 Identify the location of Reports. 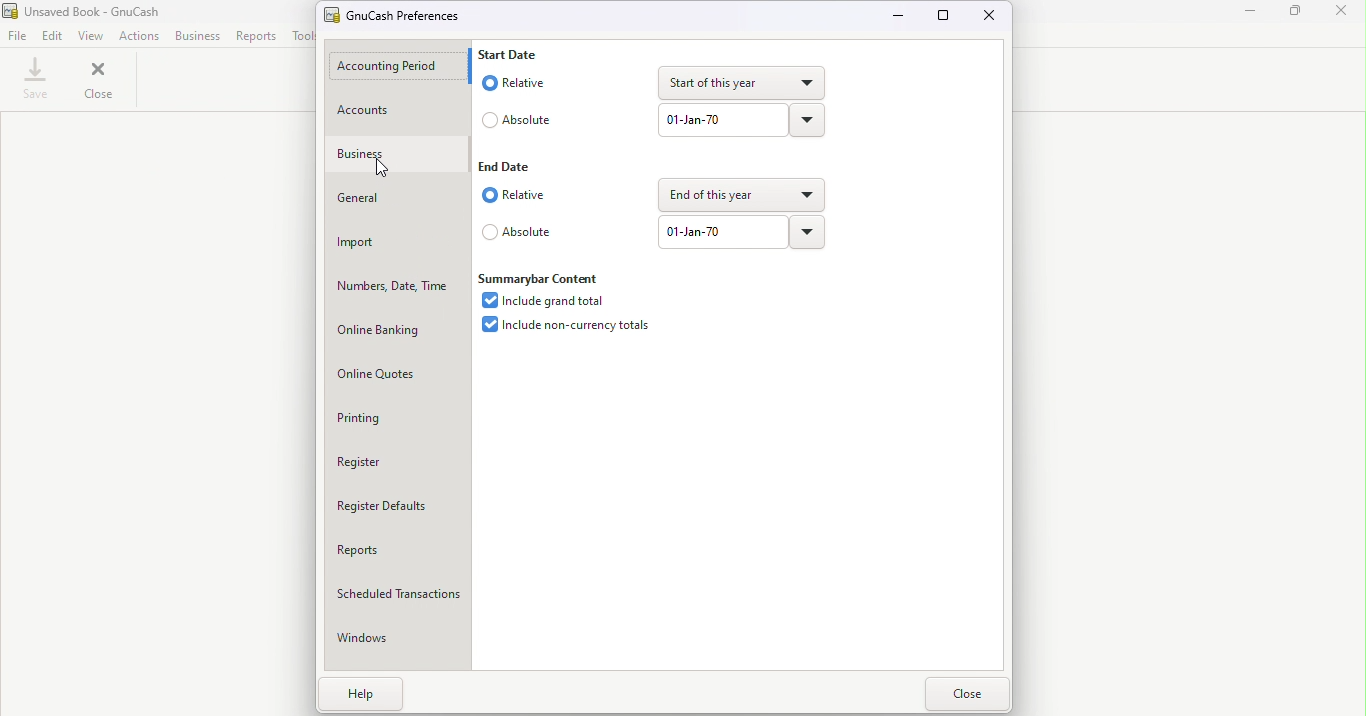
(397, 556).